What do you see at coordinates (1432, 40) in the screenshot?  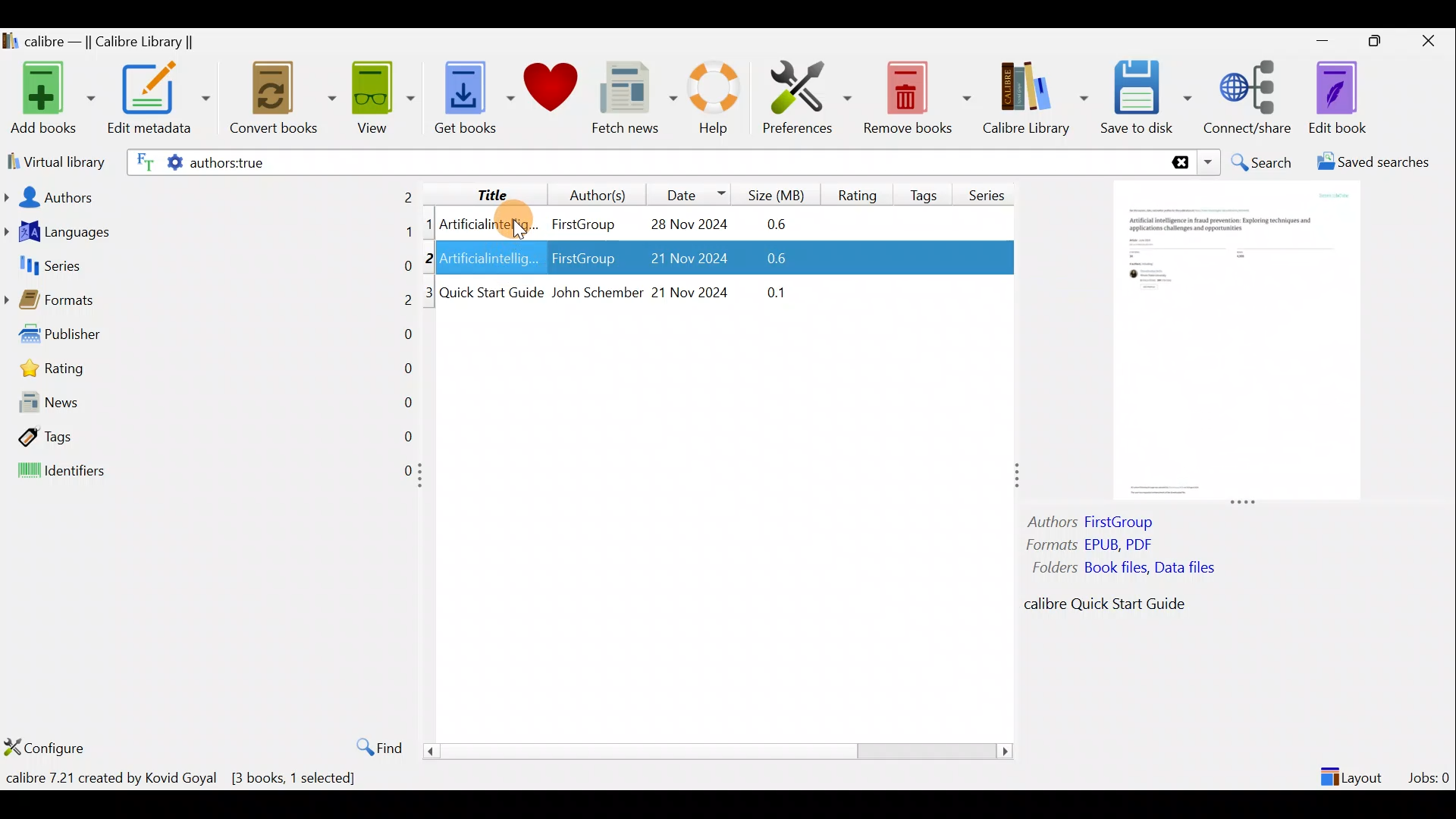 I see `Close` at bounding box center [1432, 40].